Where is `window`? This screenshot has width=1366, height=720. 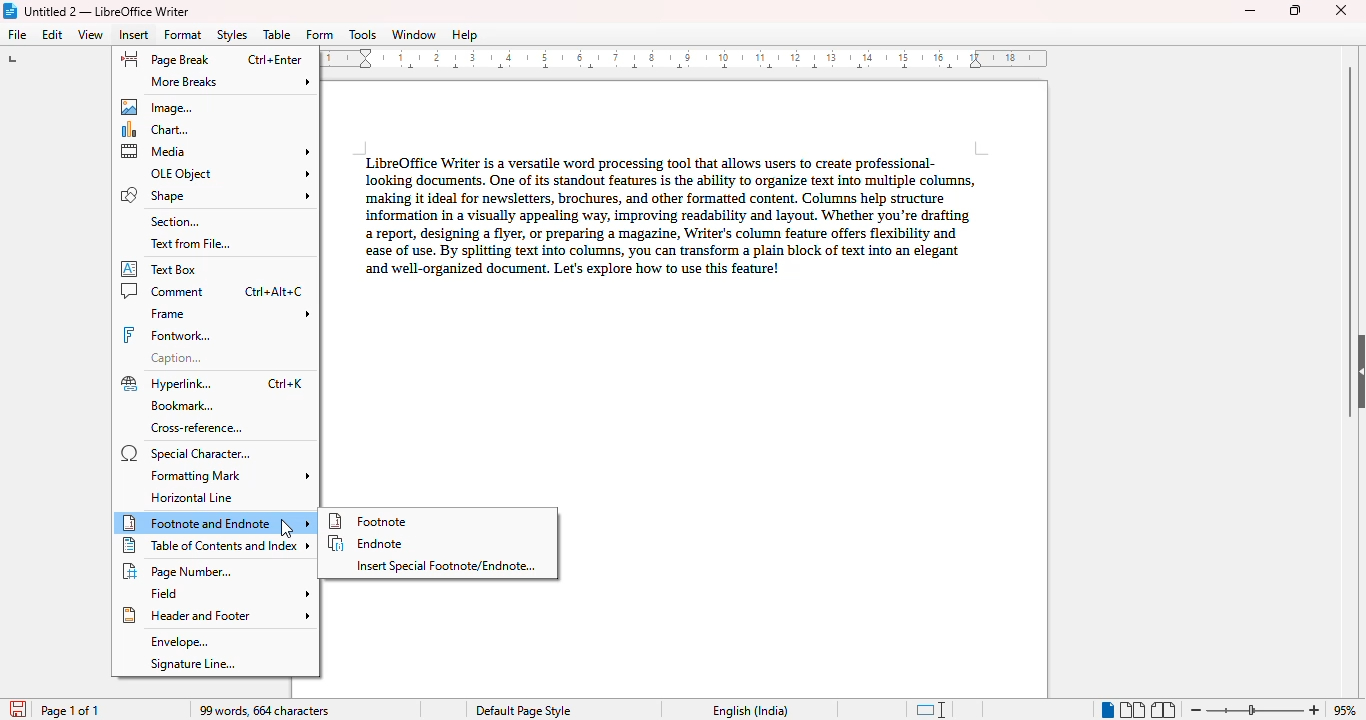
window is located at coordinates (414, 34).